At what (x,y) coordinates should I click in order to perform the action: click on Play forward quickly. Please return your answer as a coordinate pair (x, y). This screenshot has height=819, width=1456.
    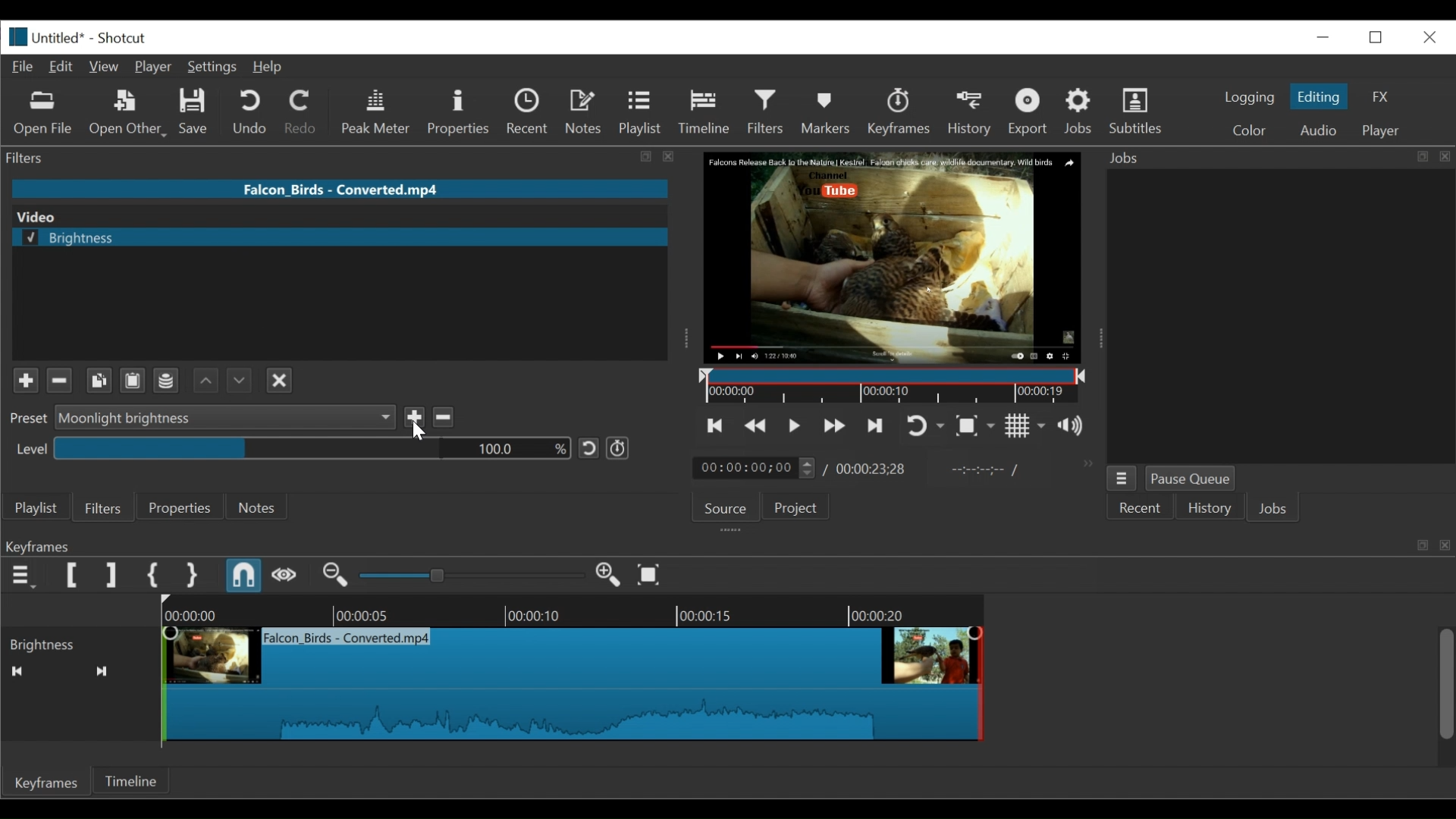
    Looking at the image, I should click on (831, 426).